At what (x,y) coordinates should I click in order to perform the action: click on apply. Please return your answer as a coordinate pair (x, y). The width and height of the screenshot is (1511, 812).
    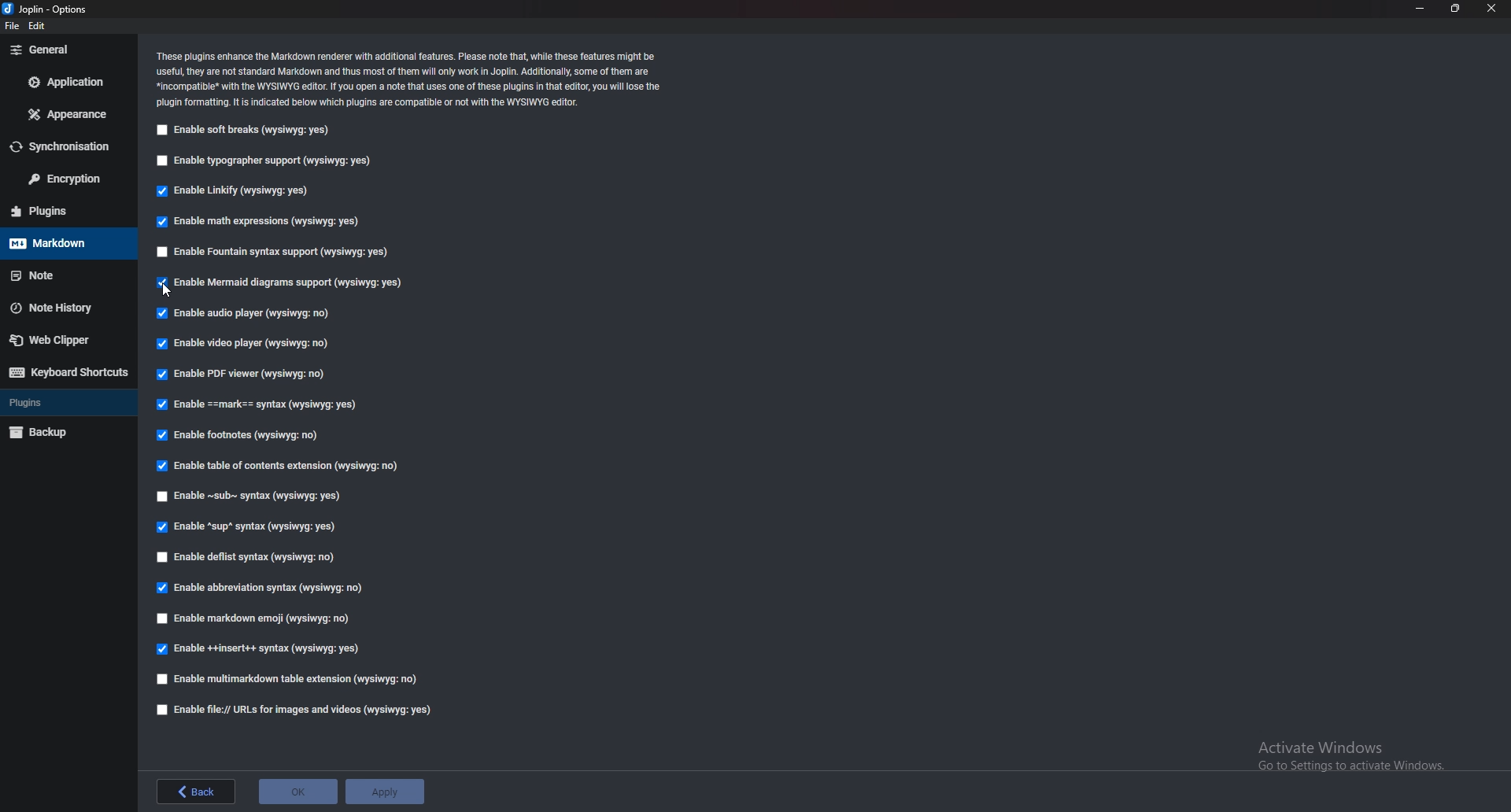
    Looking at the image, I should click on (383, 789).